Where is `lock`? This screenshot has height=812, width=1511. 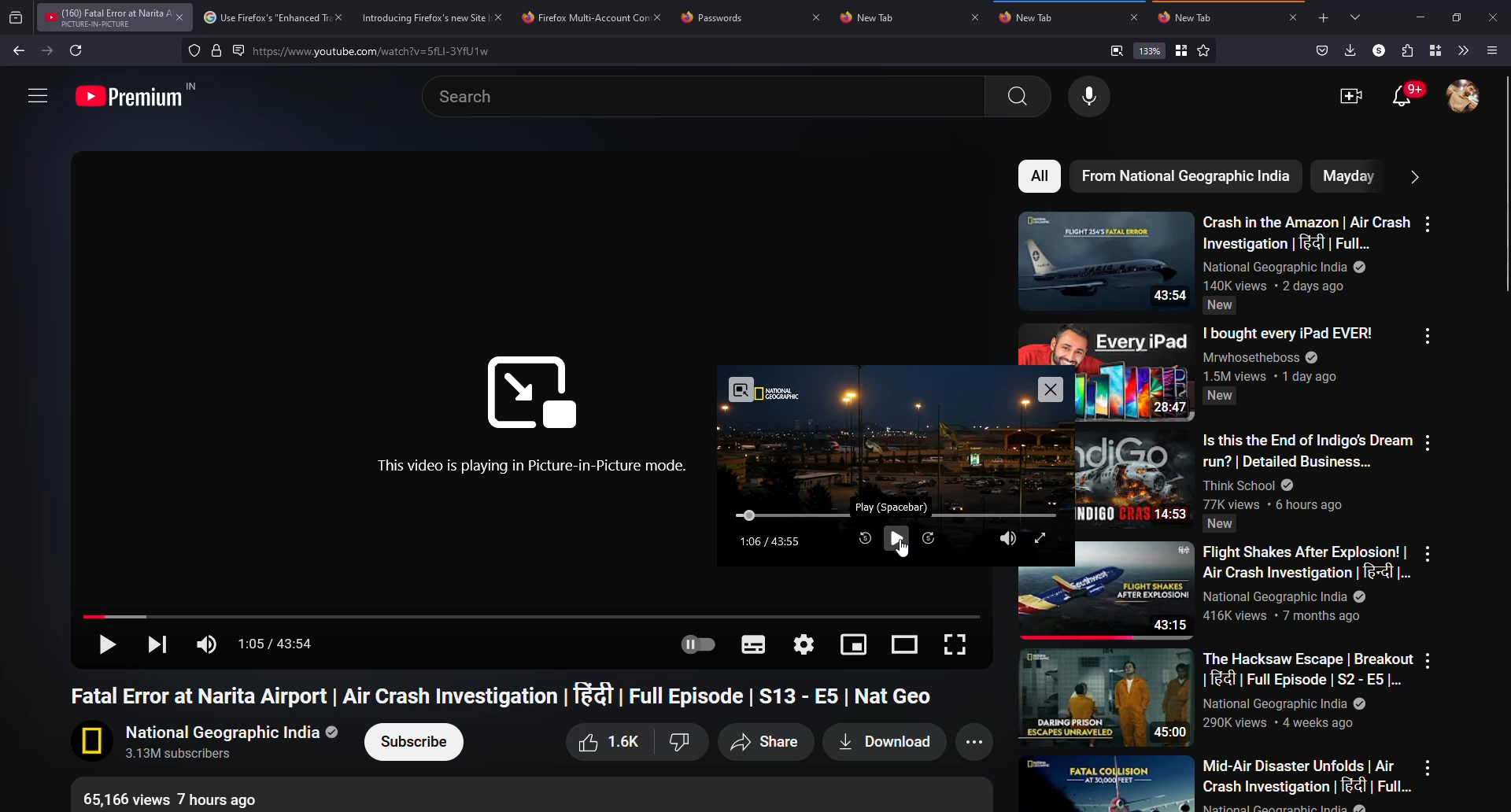 lock is located at coordinates (217, 50).